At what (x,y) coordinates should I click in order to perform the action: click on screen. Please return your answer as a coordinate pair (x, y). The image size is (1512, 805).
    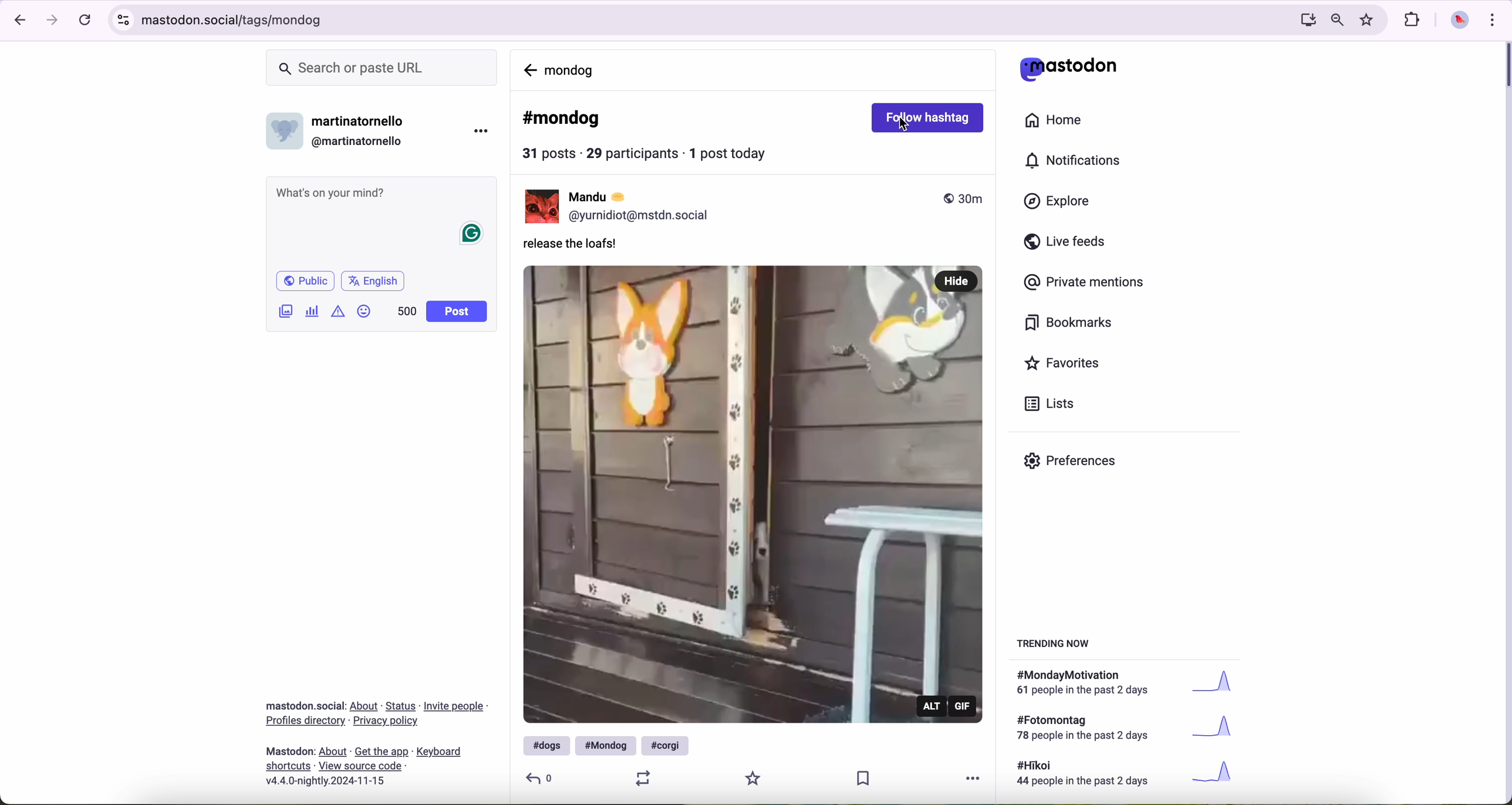
    Looking at the image, I should click on (1305, 21).